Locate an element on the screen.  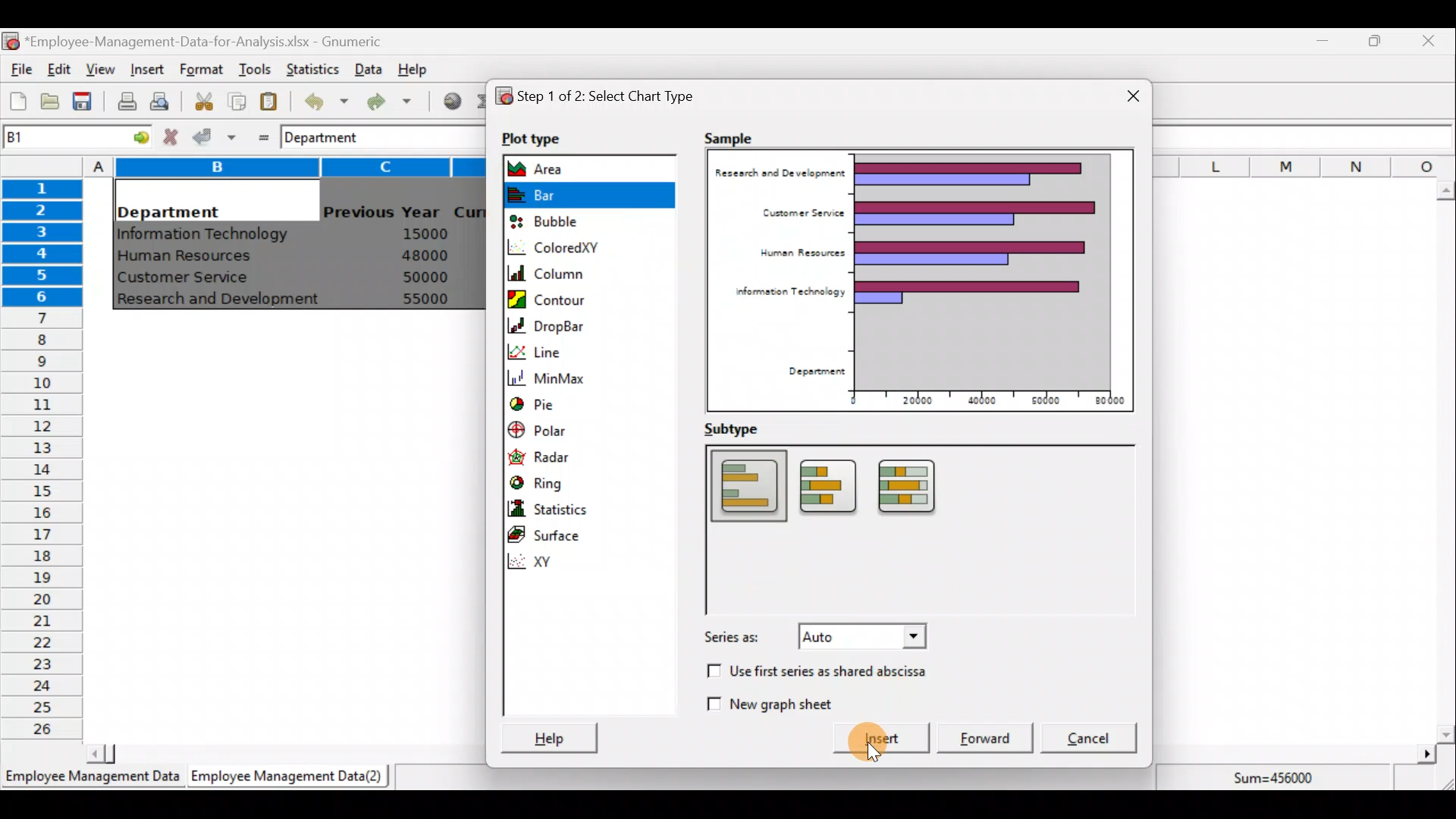
55000 is located at coordinates (426, 299).